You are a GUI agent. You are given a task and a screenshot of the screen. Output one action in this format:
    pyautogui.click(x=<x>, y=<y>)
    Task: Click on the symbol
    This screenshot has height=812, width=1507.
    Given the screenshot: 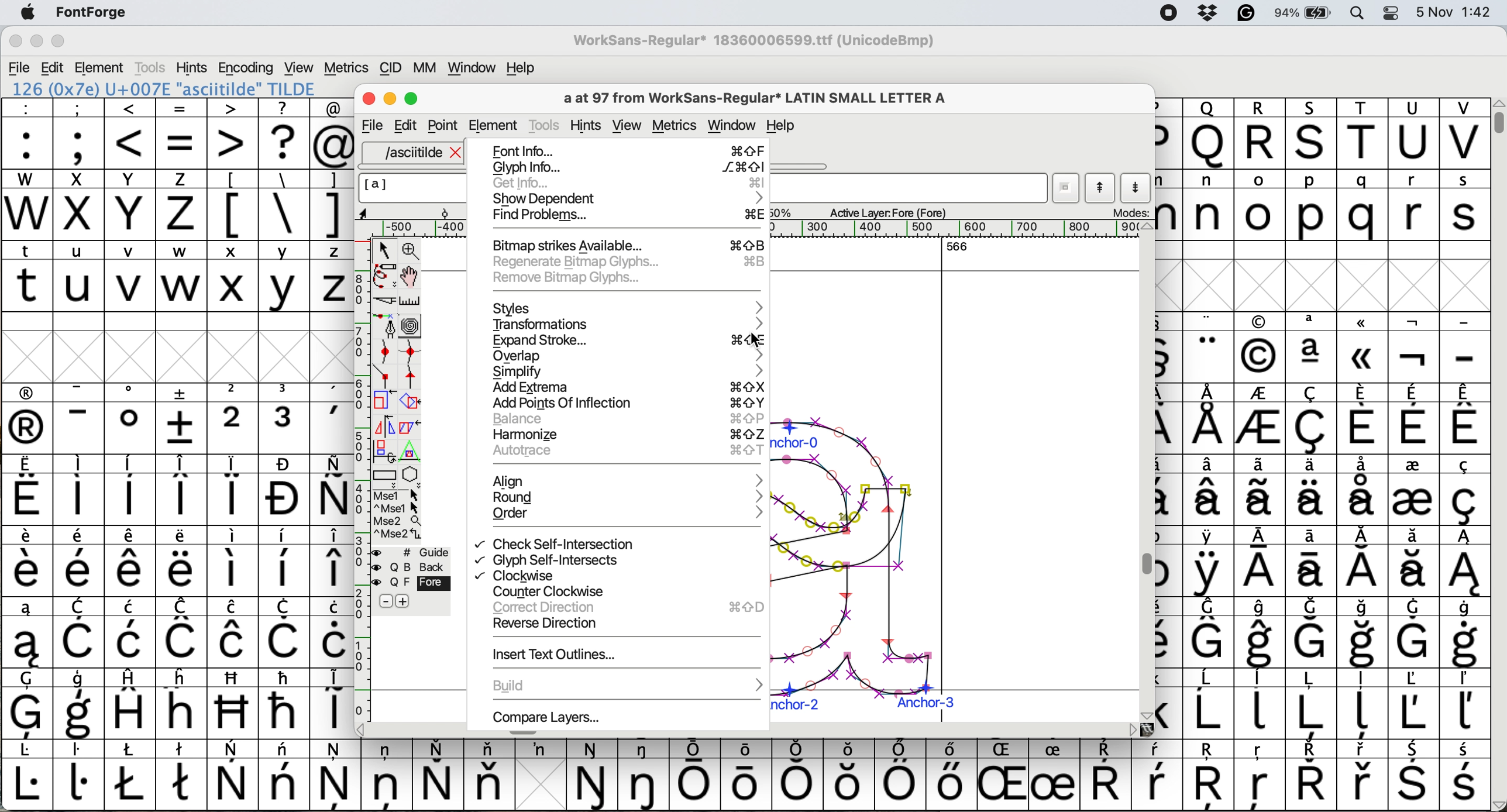 What is the action you would take?
    pyautogui.click(x=1211, y=490)
    